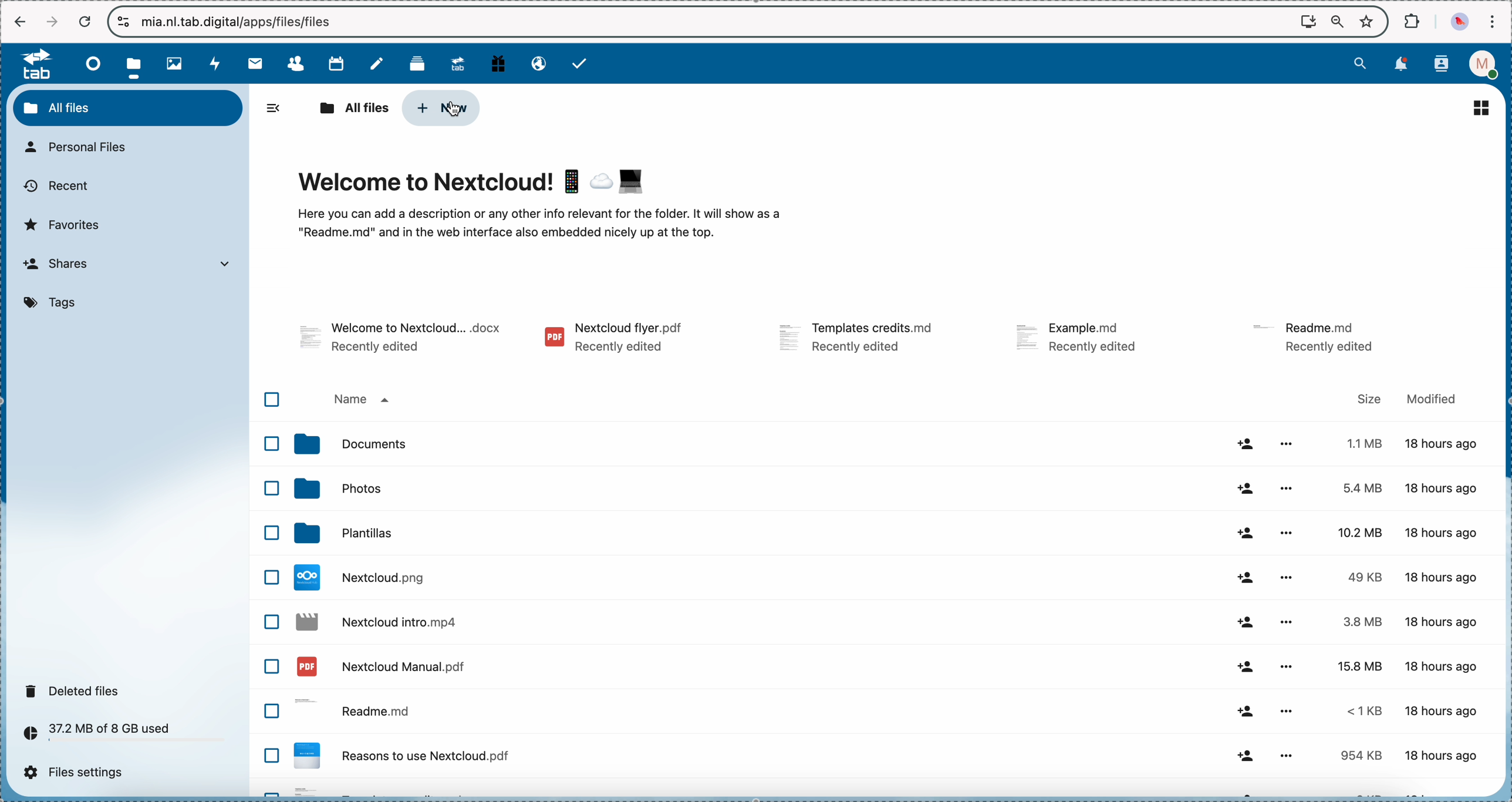 Image resolution: width=1512 pixels, height=802 pixels. I want to click on favorites, so click(1369, 21).